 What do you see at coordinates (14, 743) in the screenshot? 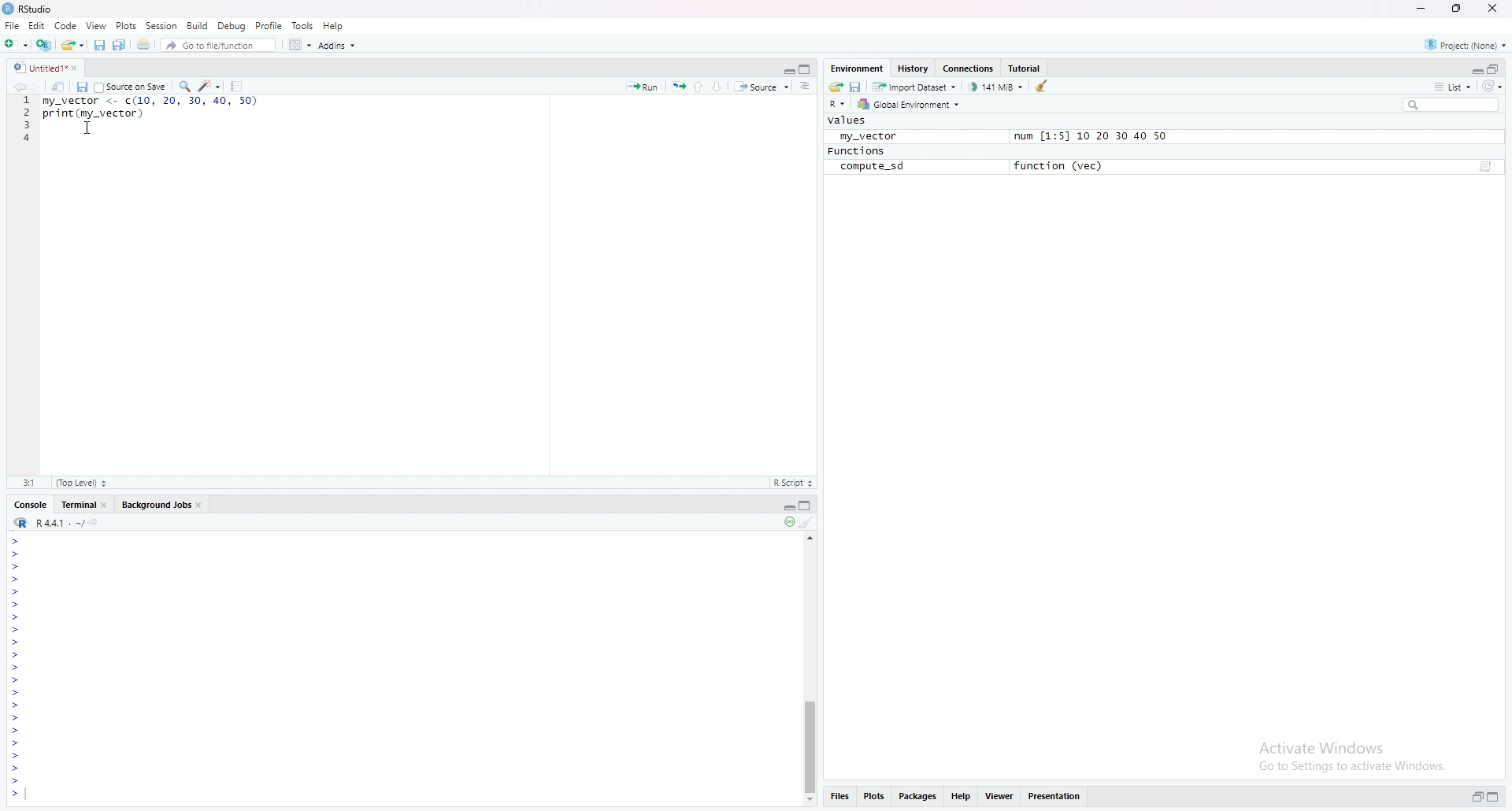
I see `Prompt cursor` at bounding box center [14, 743].